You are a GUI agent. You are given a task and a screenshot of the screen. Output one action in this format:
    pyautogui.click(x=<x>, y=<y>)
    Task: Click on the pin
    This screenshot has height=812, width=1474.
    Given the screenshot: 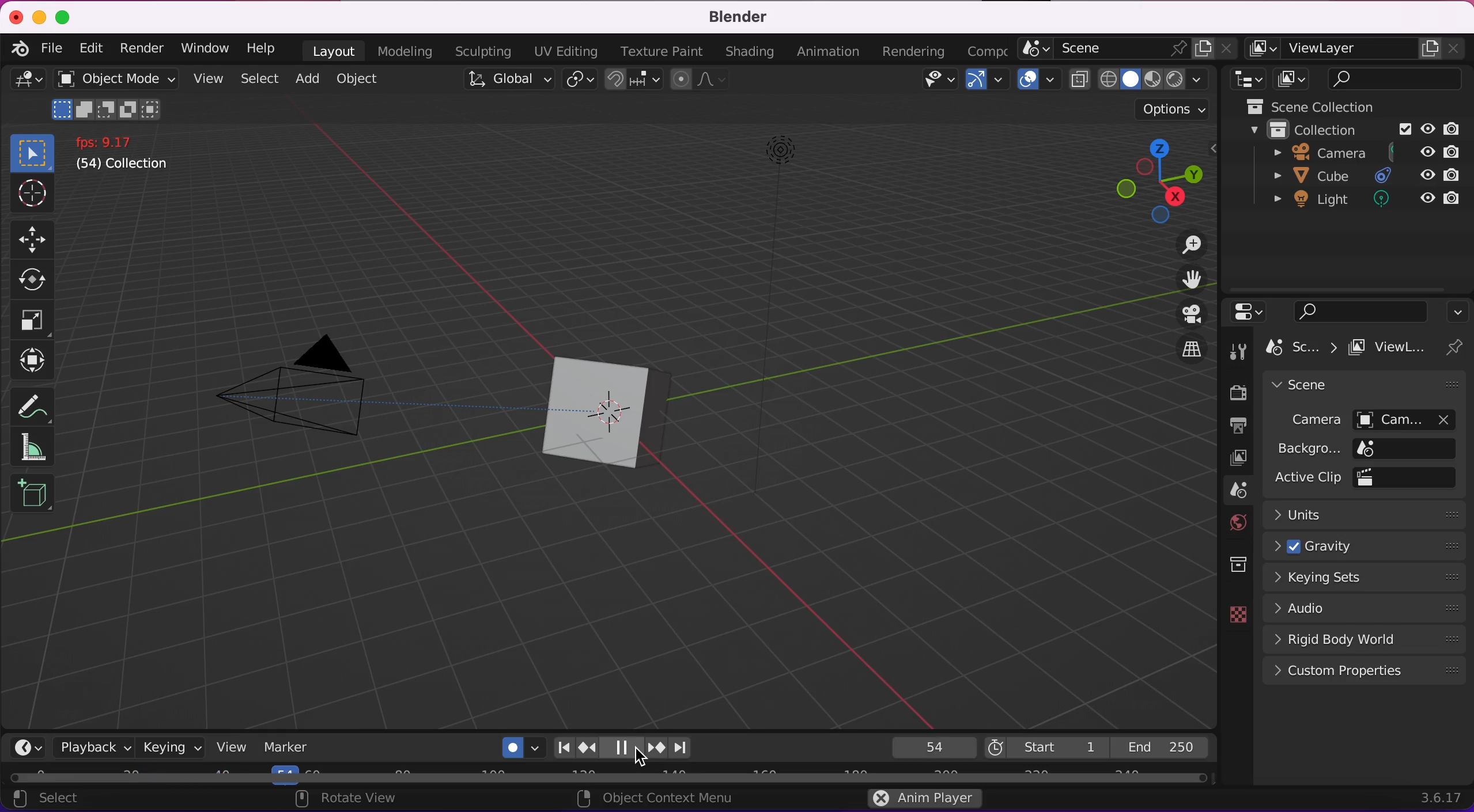 What is the action you would take?
    pyautogui.click(x=1454, y=348)
    